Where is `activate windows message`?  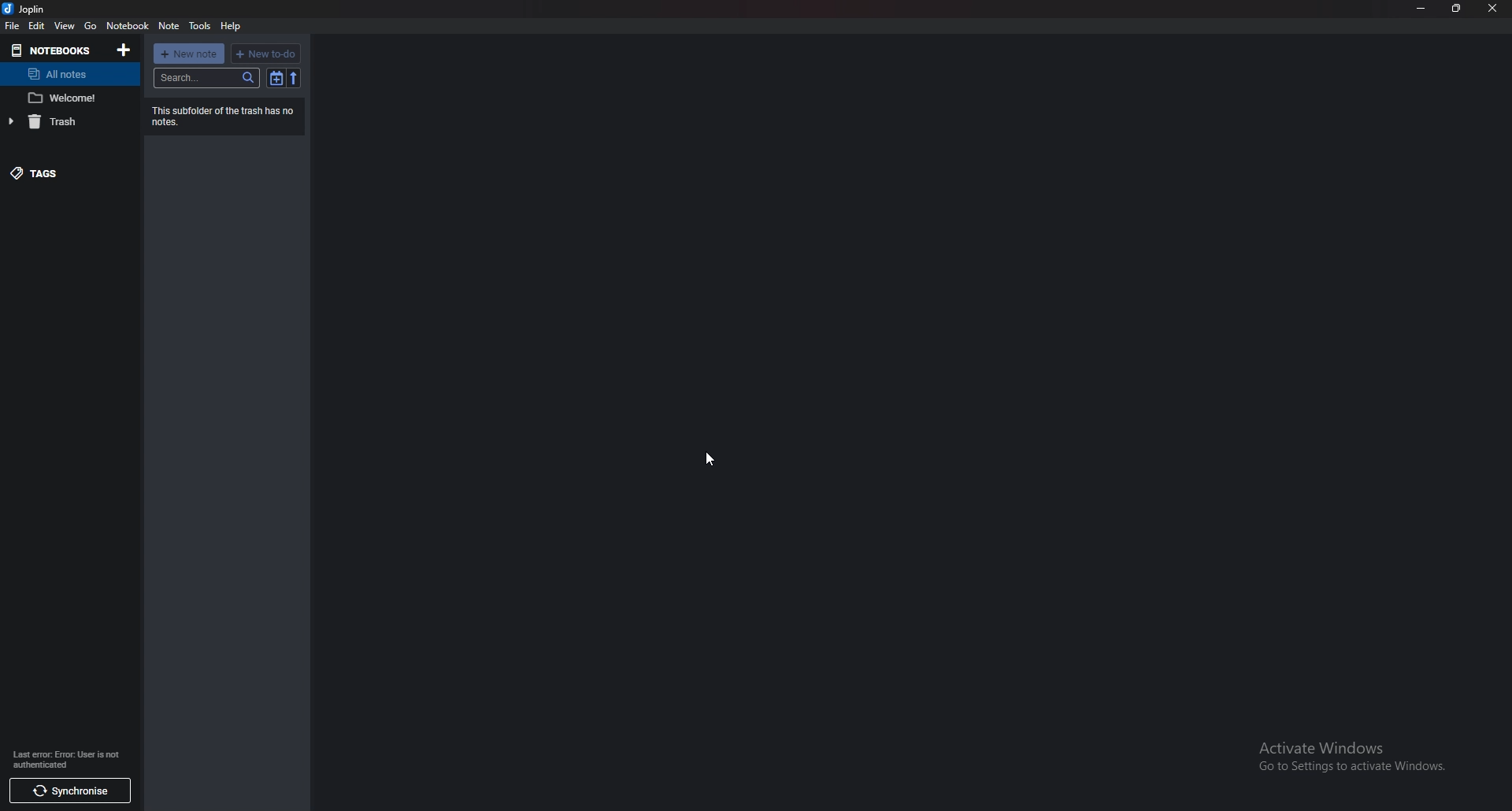 activate windows message is located at coordinates (1350, 750).